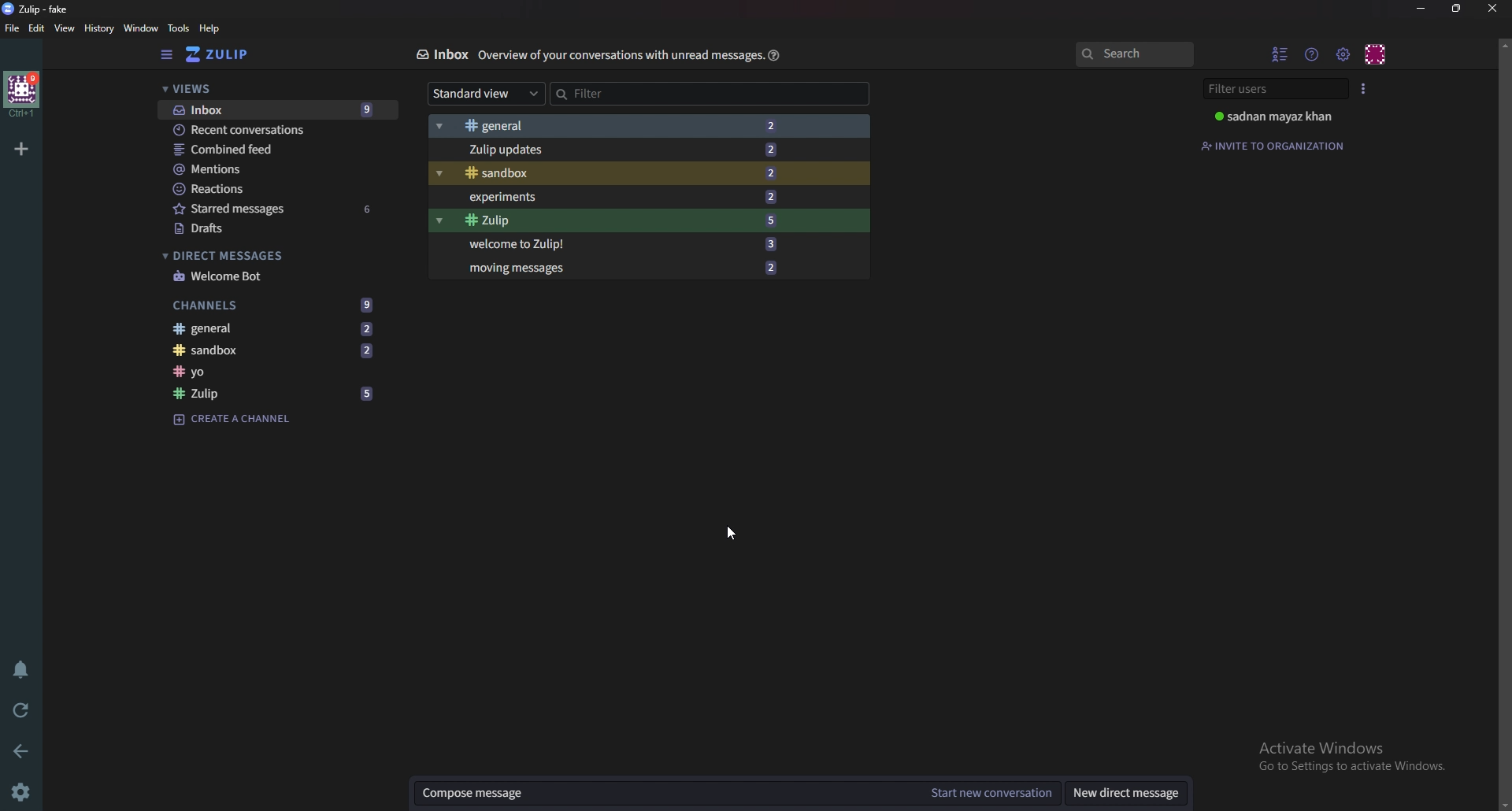  Describe the element at coordinates (647, 94) in the screenshot. I see `Filter` at that location.